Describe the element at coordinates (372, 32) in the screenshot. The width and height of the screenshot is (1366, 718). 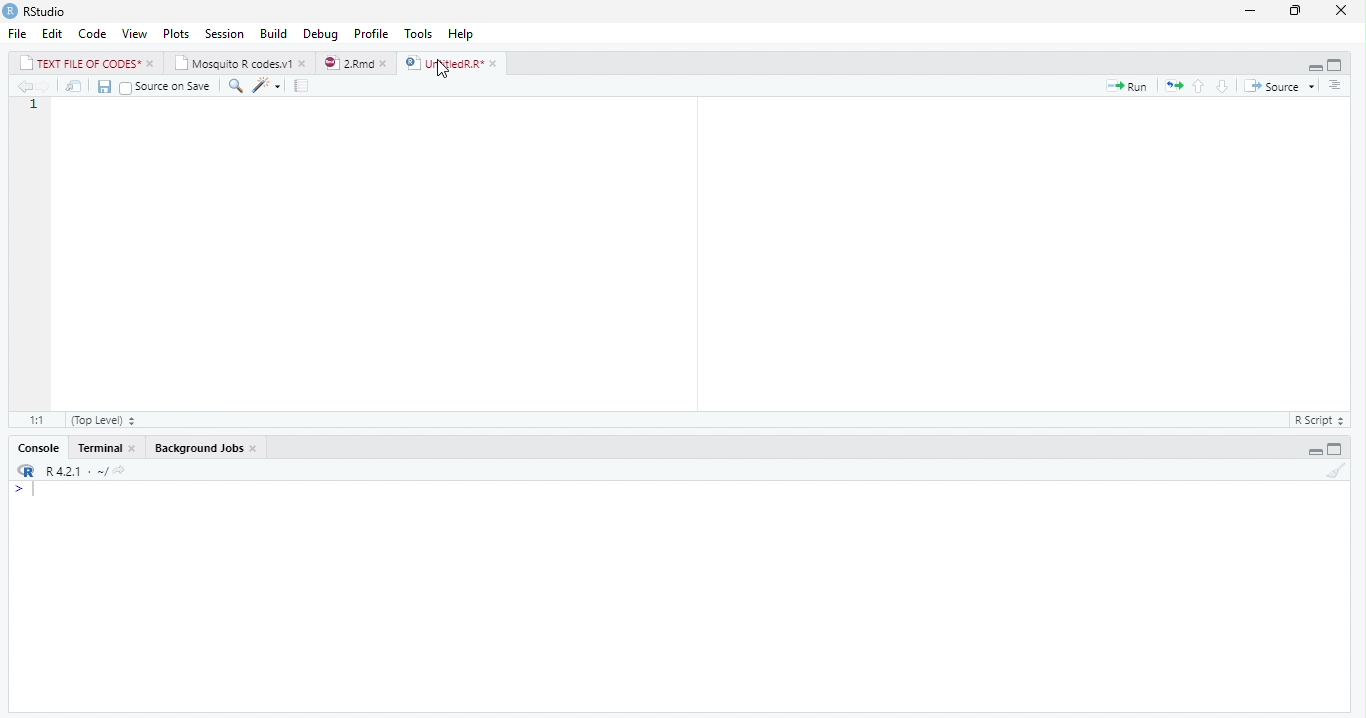
I see `Profile` at that location.